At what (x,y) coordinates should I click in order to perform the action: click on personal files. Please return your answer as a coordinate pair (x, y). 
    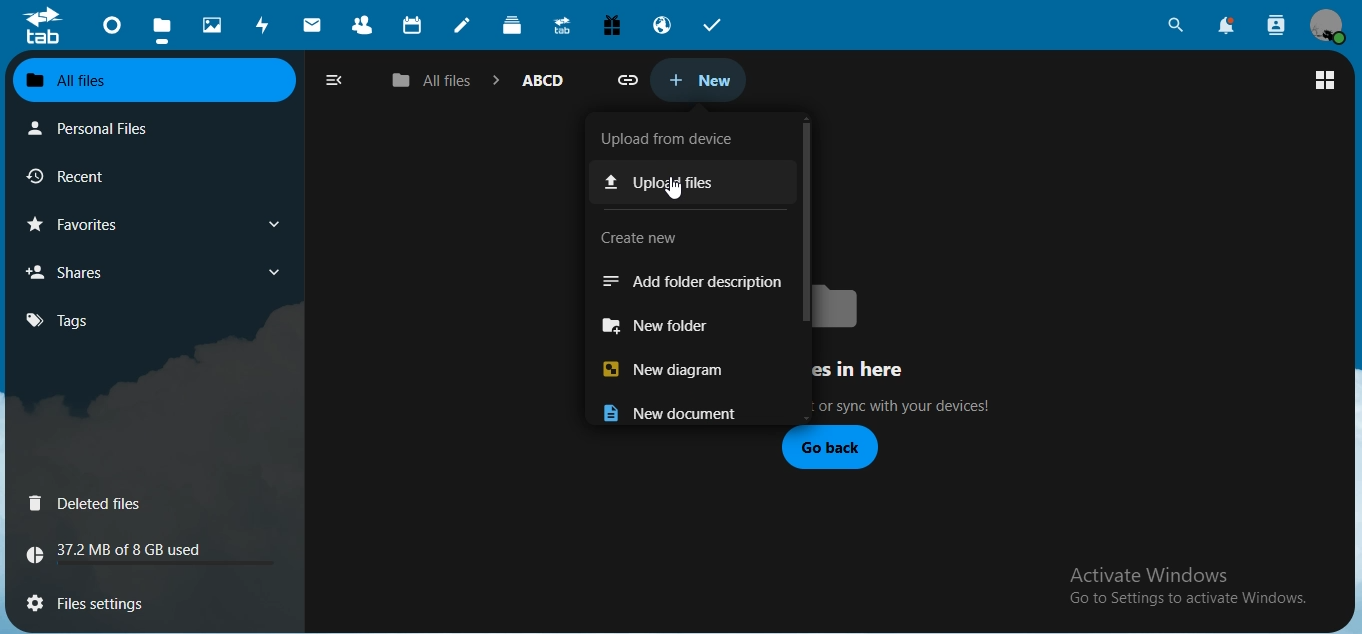
    Looking at the image, I should click on (98, 128).